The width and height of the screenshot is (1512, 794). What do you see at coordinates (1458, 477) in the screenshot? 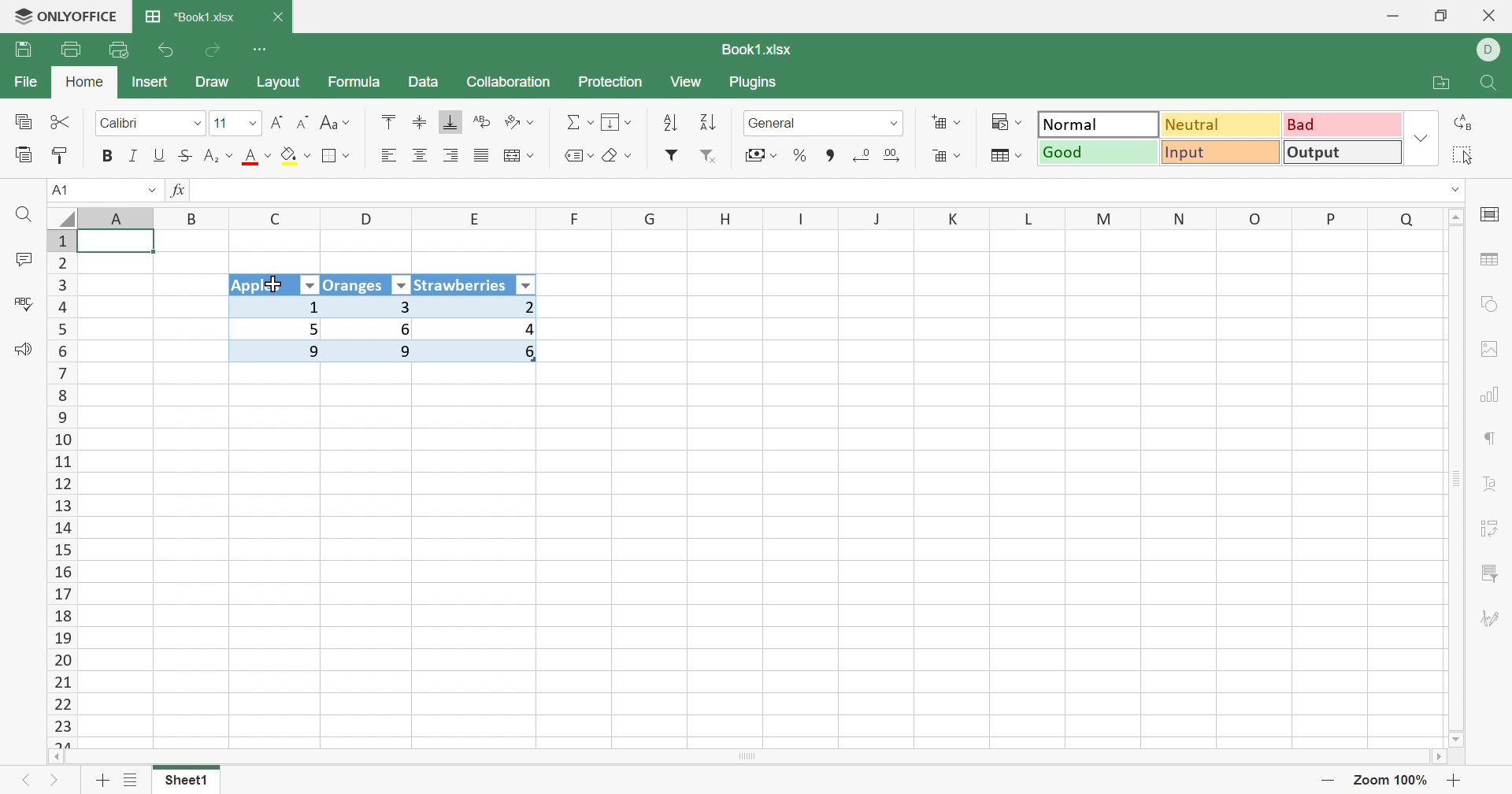
I see `Scroll Bar` at bounding box center [1458, 477].